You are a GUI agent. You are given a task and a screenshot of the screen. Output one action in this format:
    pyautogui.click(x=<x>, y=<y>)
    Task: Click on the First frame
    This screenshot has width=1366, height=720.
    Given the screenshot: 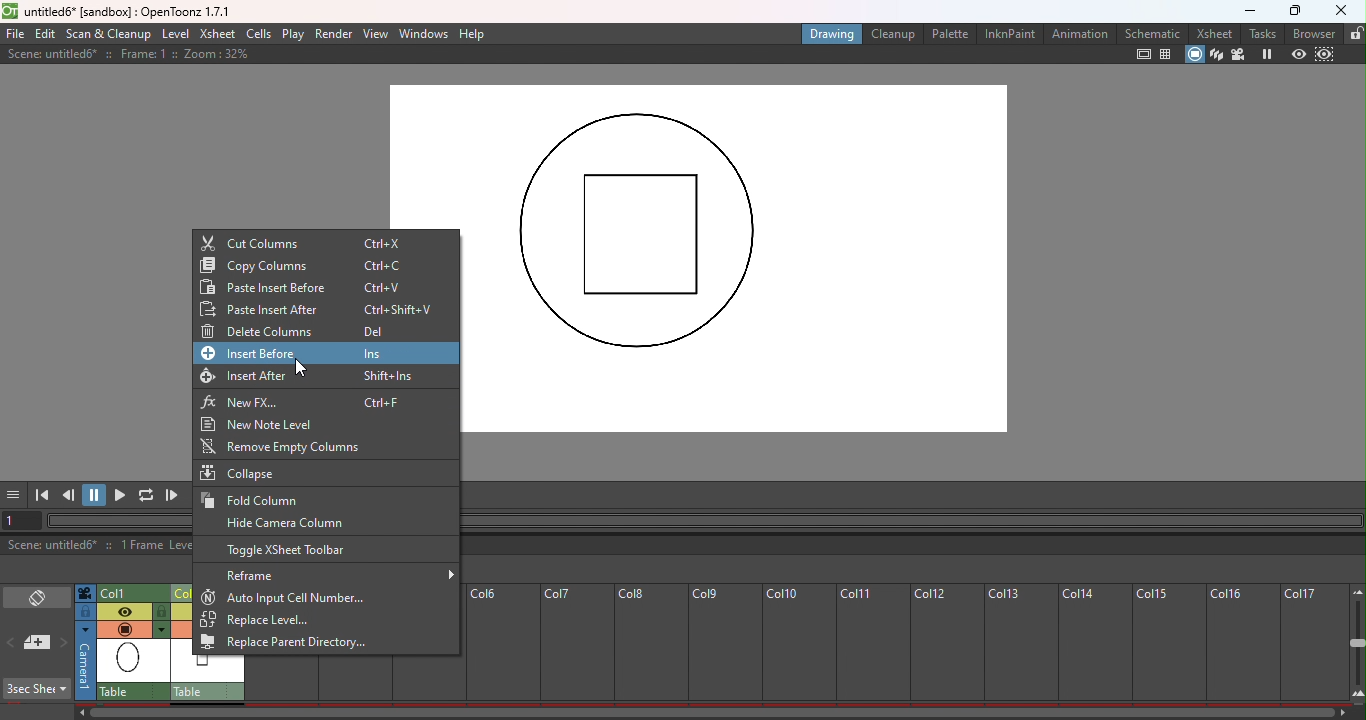 What is the action you would take?
    pyautogui.click(x=42, y=495)
    